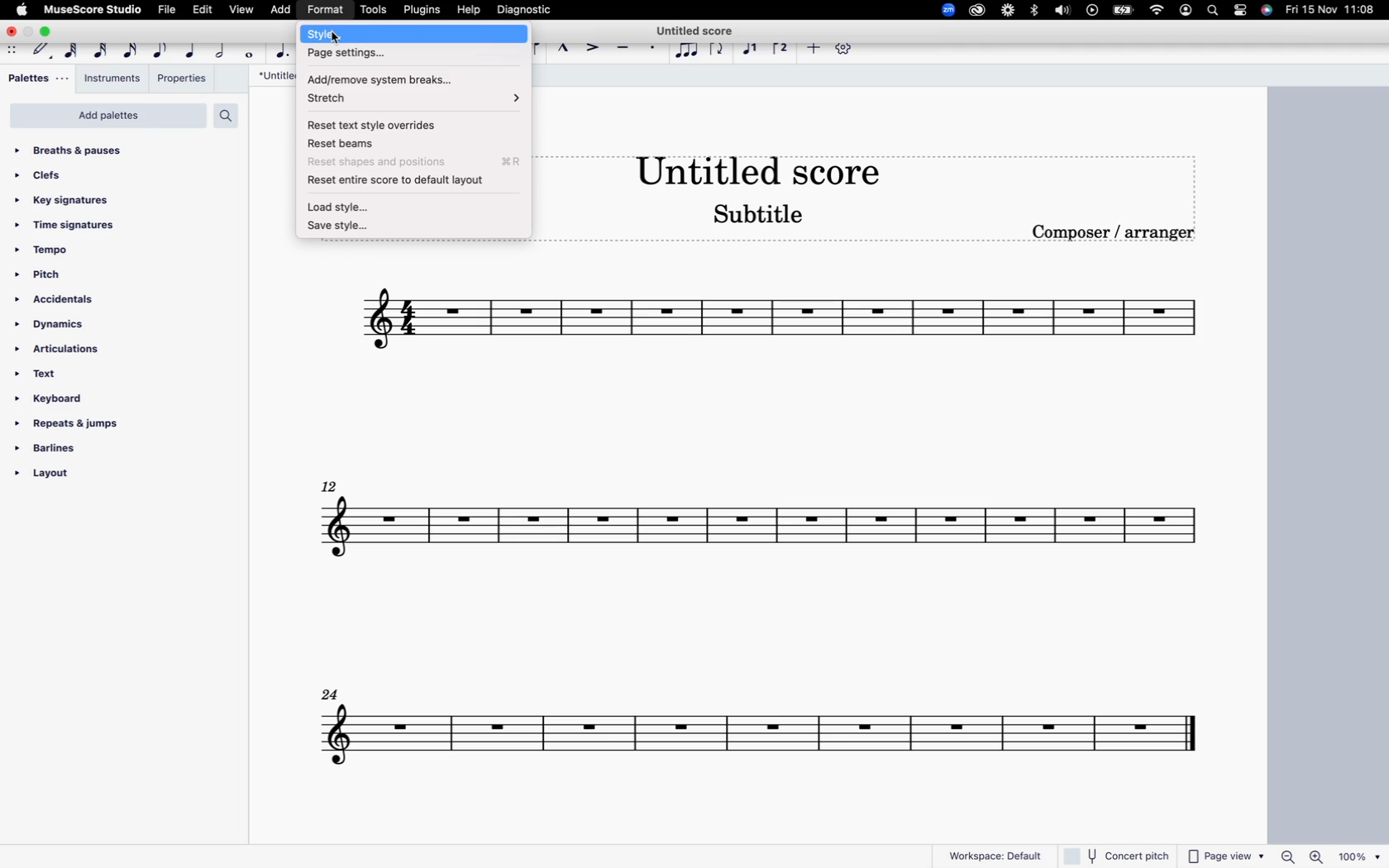 The width and height of the screenshot is (1389, 868). I want to click on score, so click(790, 321).